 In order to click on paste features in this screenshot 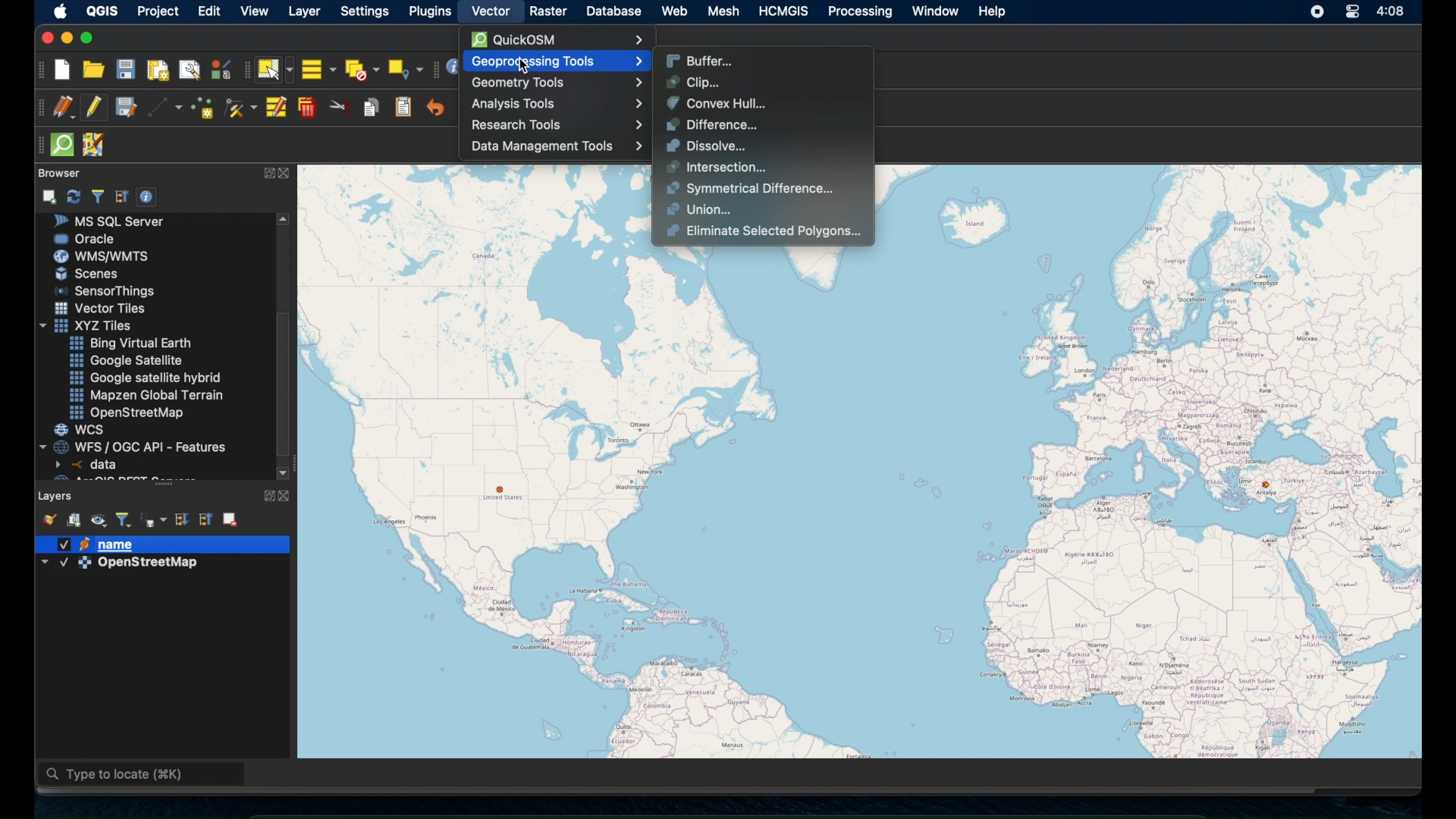, I will do `click(403, 106)`.